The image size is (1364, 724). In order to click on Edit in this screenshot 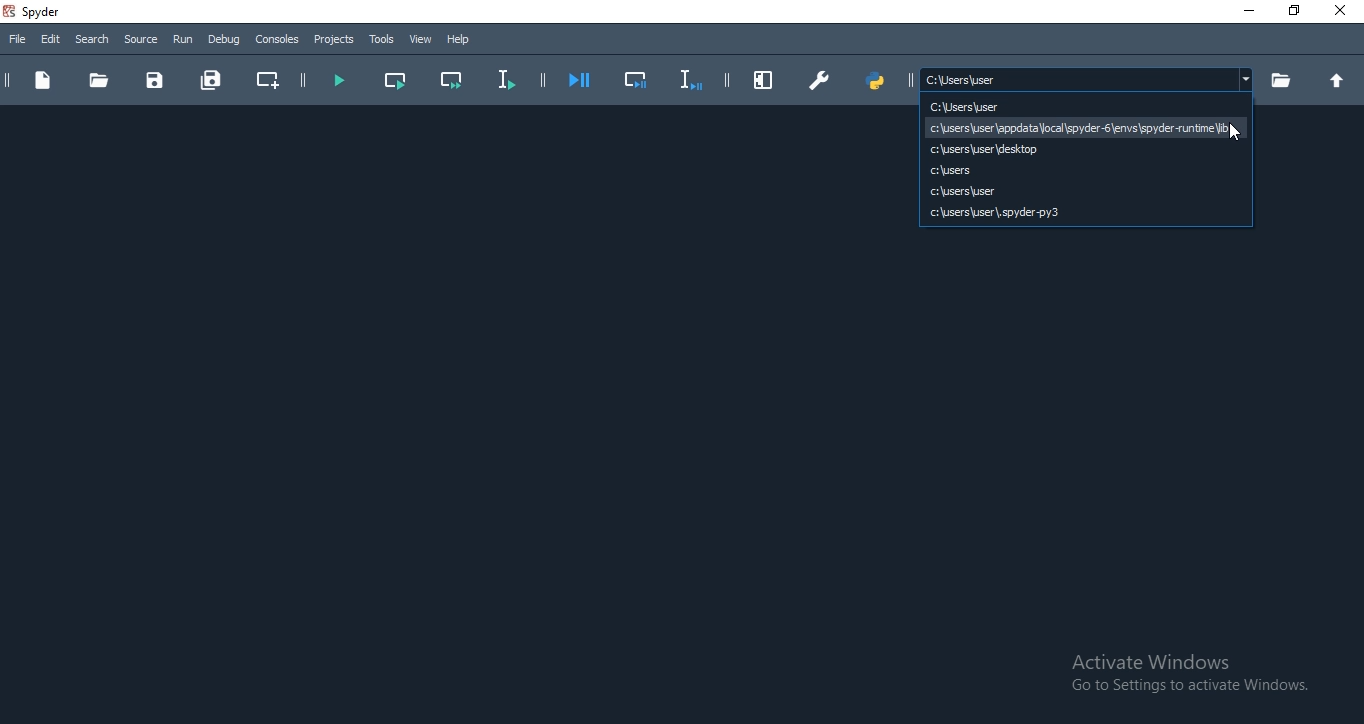, I will do `click(51, 40)`.